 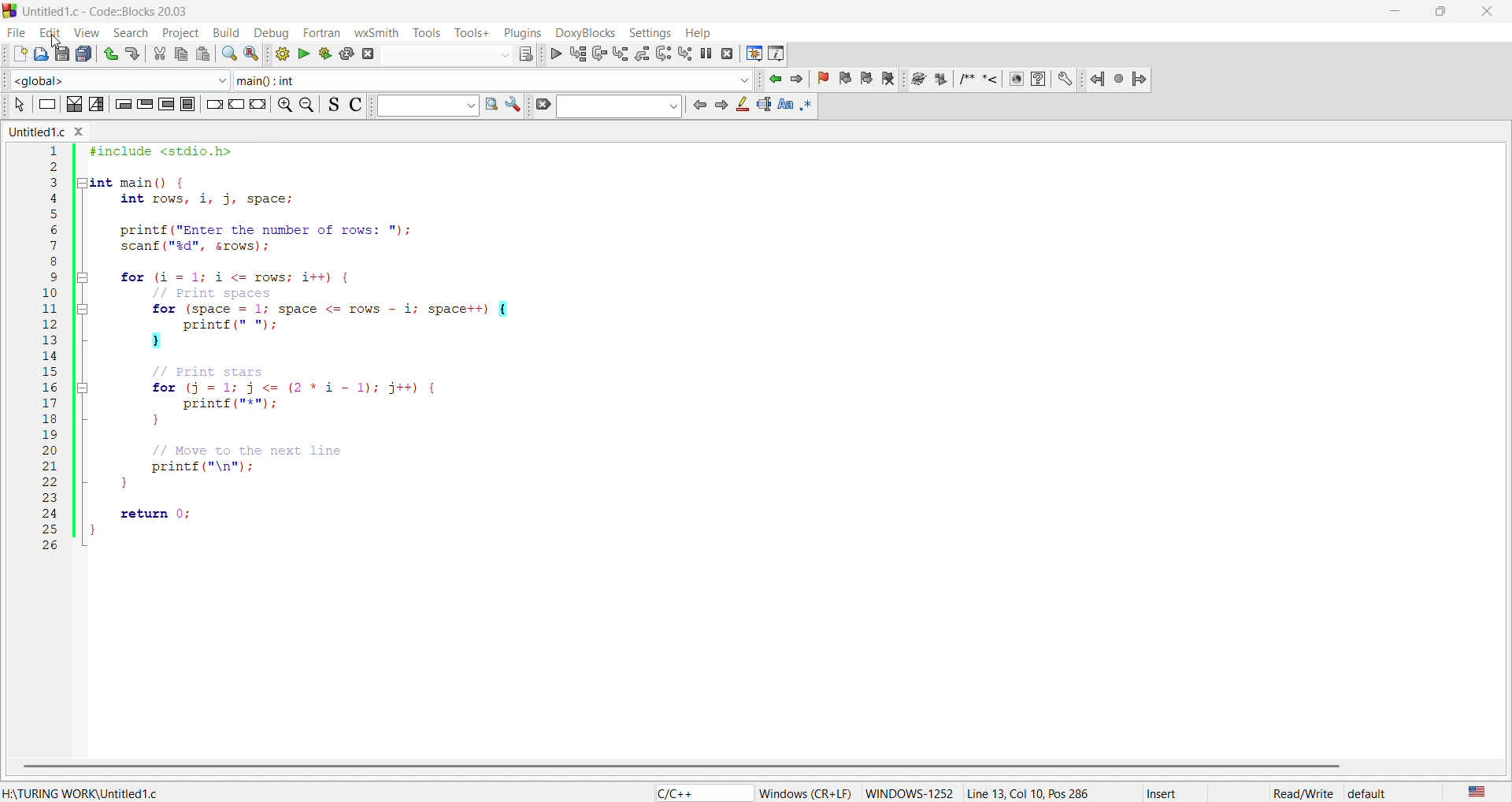 I want to click on doxyblocks, so click(x=584, y=32).